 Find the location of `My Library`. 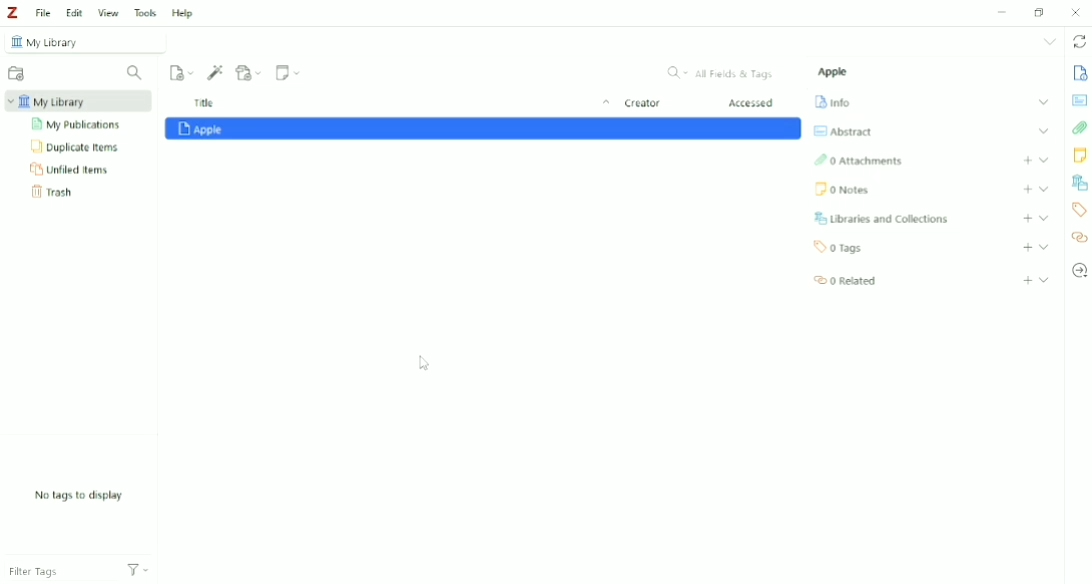

My Library is located at coordinates (81, 42).